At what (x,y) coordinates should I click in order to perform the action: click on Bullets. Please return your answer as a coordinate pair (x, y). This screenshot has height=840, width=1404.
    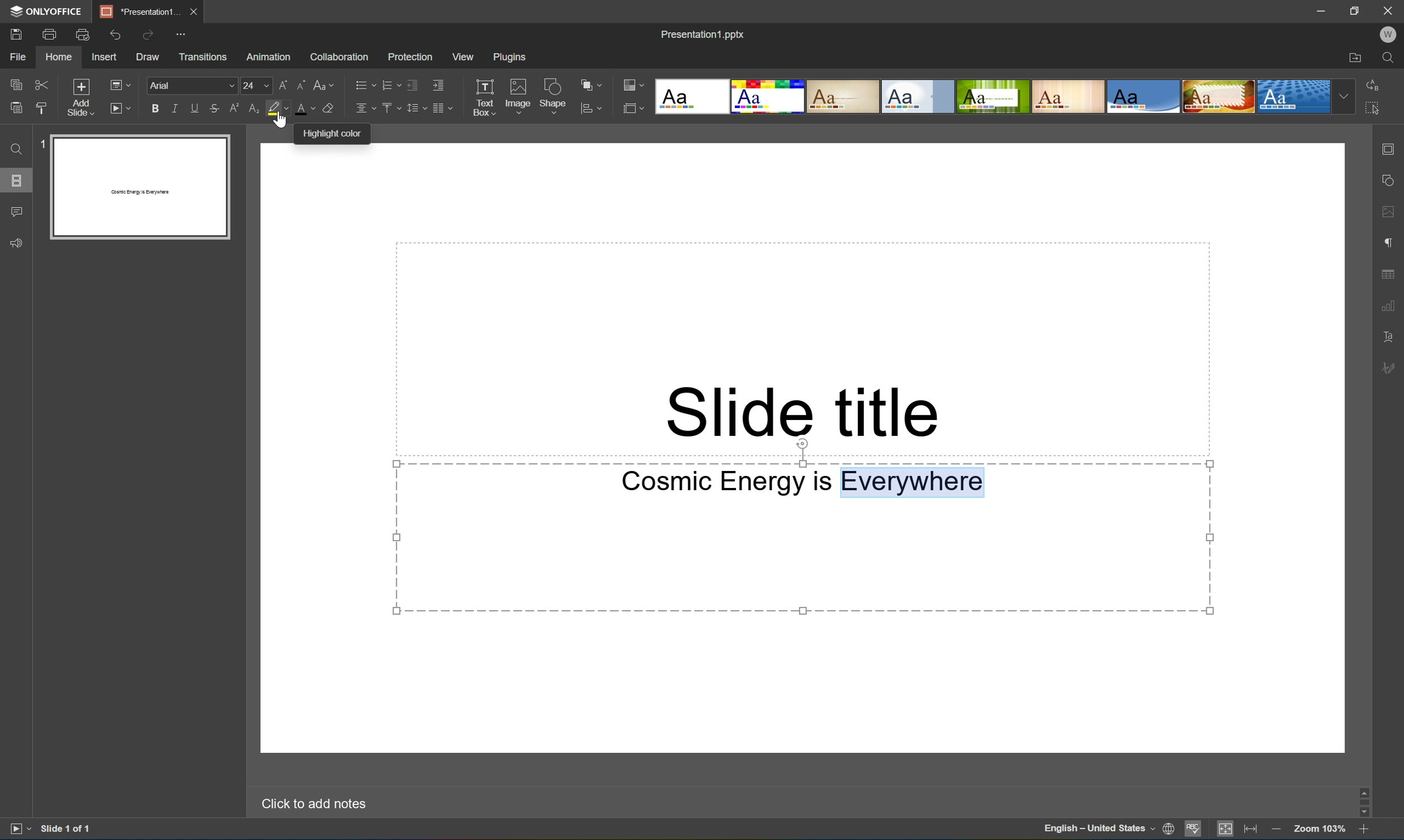
    Looking at the image, I should click on (362, 84).